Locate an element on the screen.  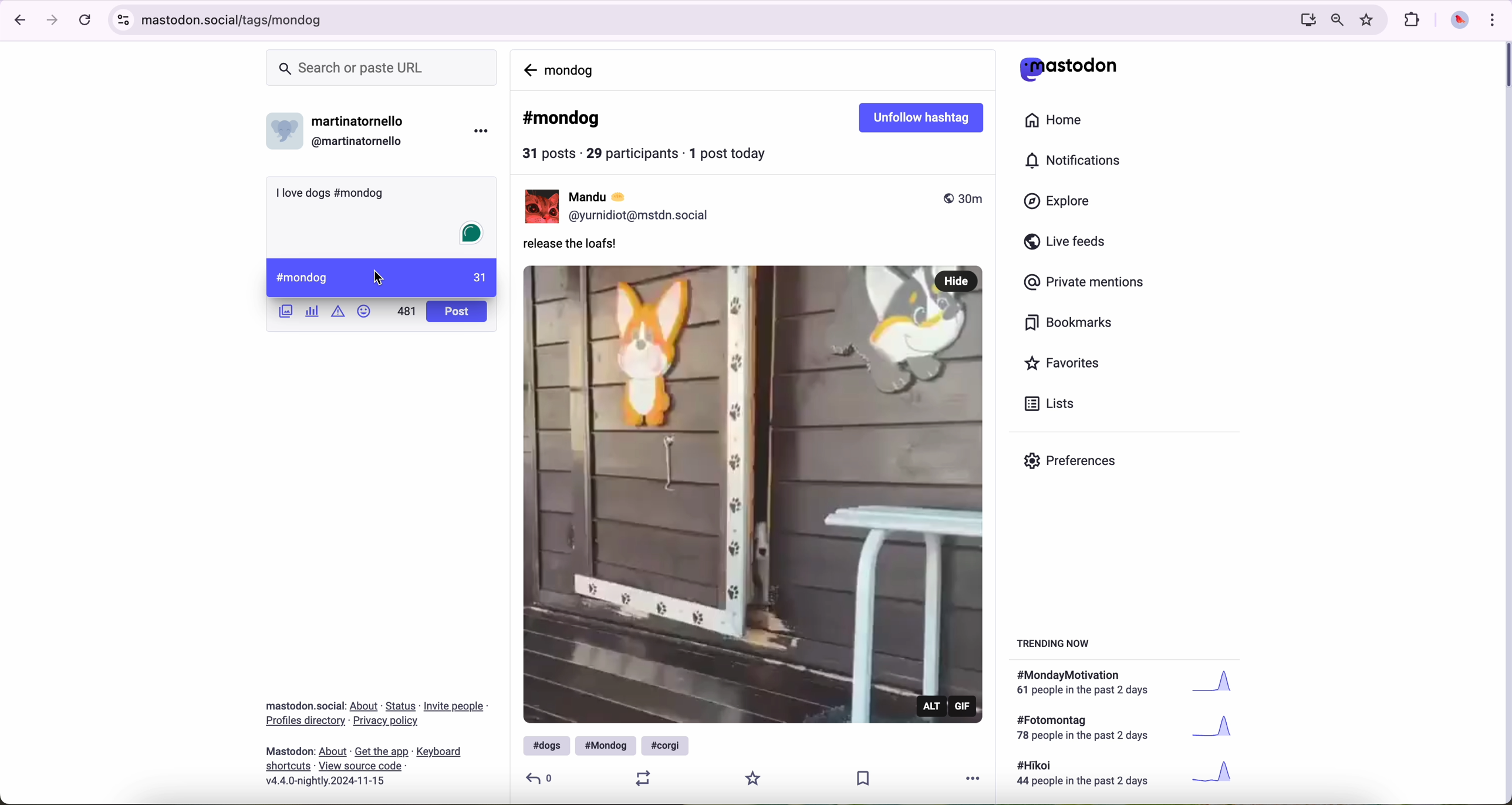
emoji is located at coordinates (364, 312).